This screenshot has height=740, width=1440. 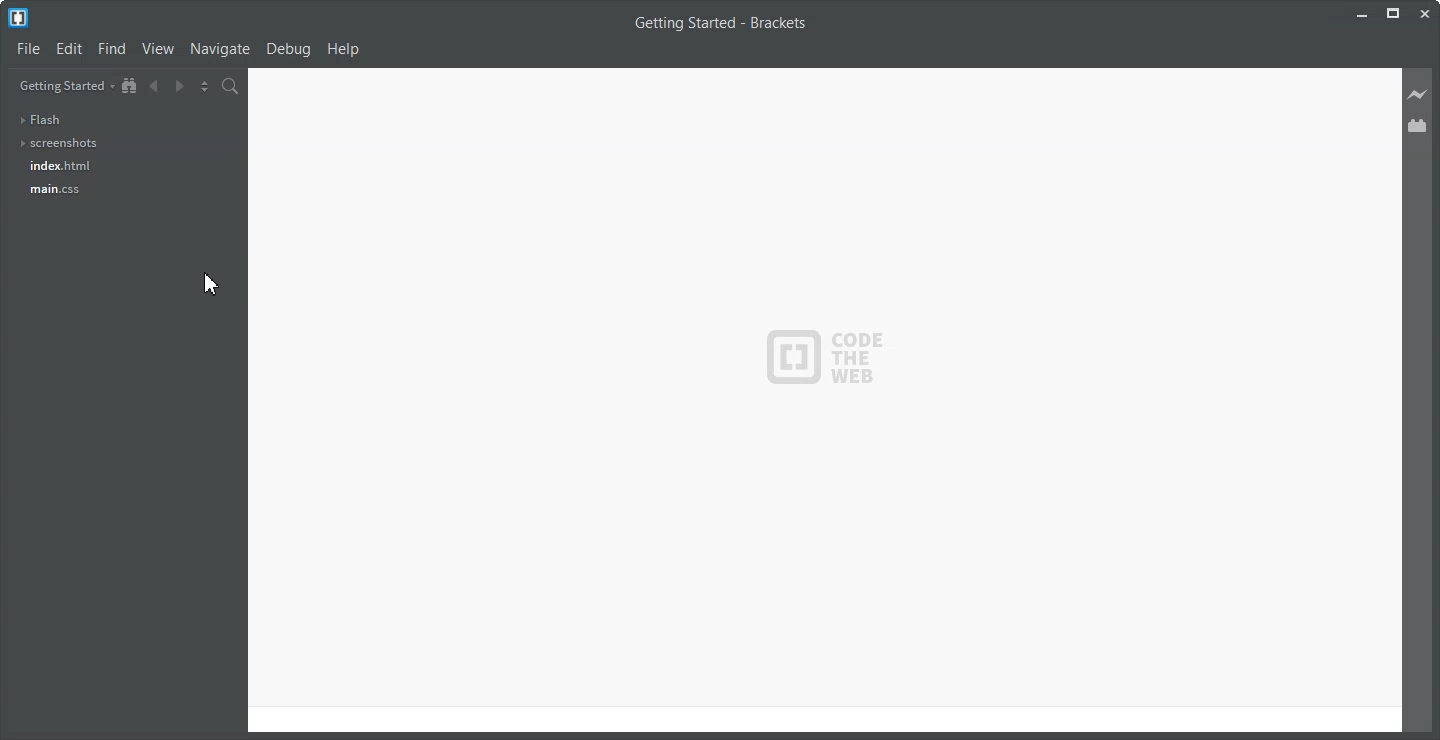 I want to click on Live Preview, so click(x=1419, y=95).